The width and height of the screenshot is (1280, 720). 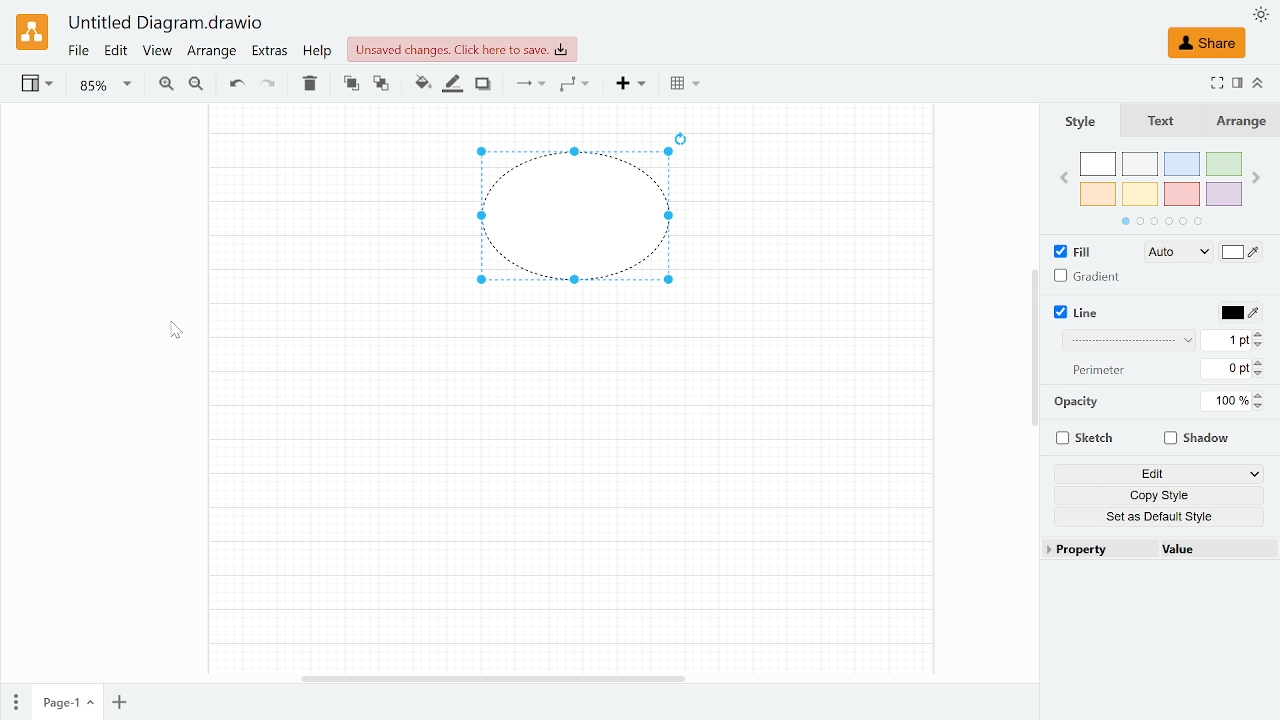 What do you see at coordinates (1262, 408) in the screenshot?
I see `Decrease Opacity` at bounding box center [1262, 408].